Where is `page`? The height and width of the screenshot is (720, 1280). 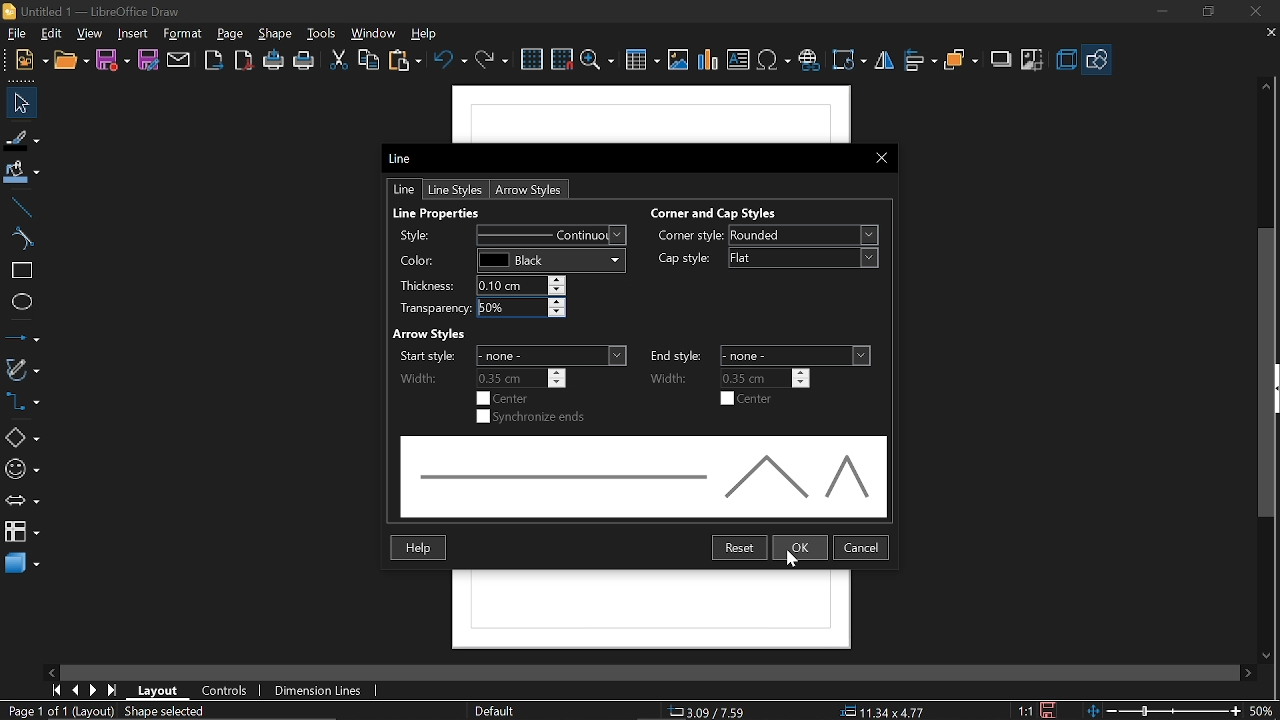 page is located at coordinates (231, 33).